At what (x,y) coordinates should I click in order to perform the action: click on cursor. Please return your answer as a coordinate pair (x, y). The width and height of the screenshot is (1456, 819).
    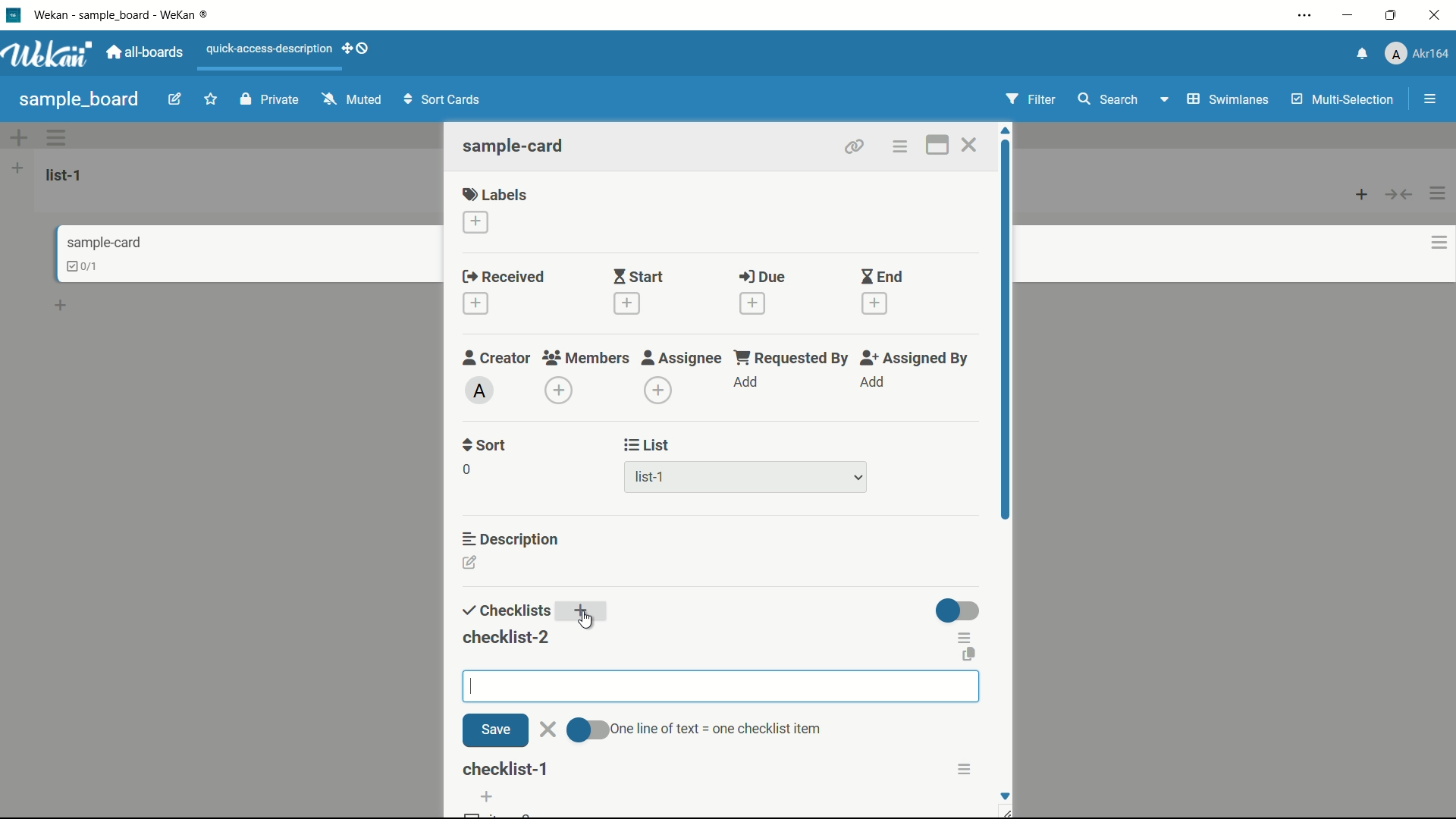
    Looking at the image, I should click on (588, 619).